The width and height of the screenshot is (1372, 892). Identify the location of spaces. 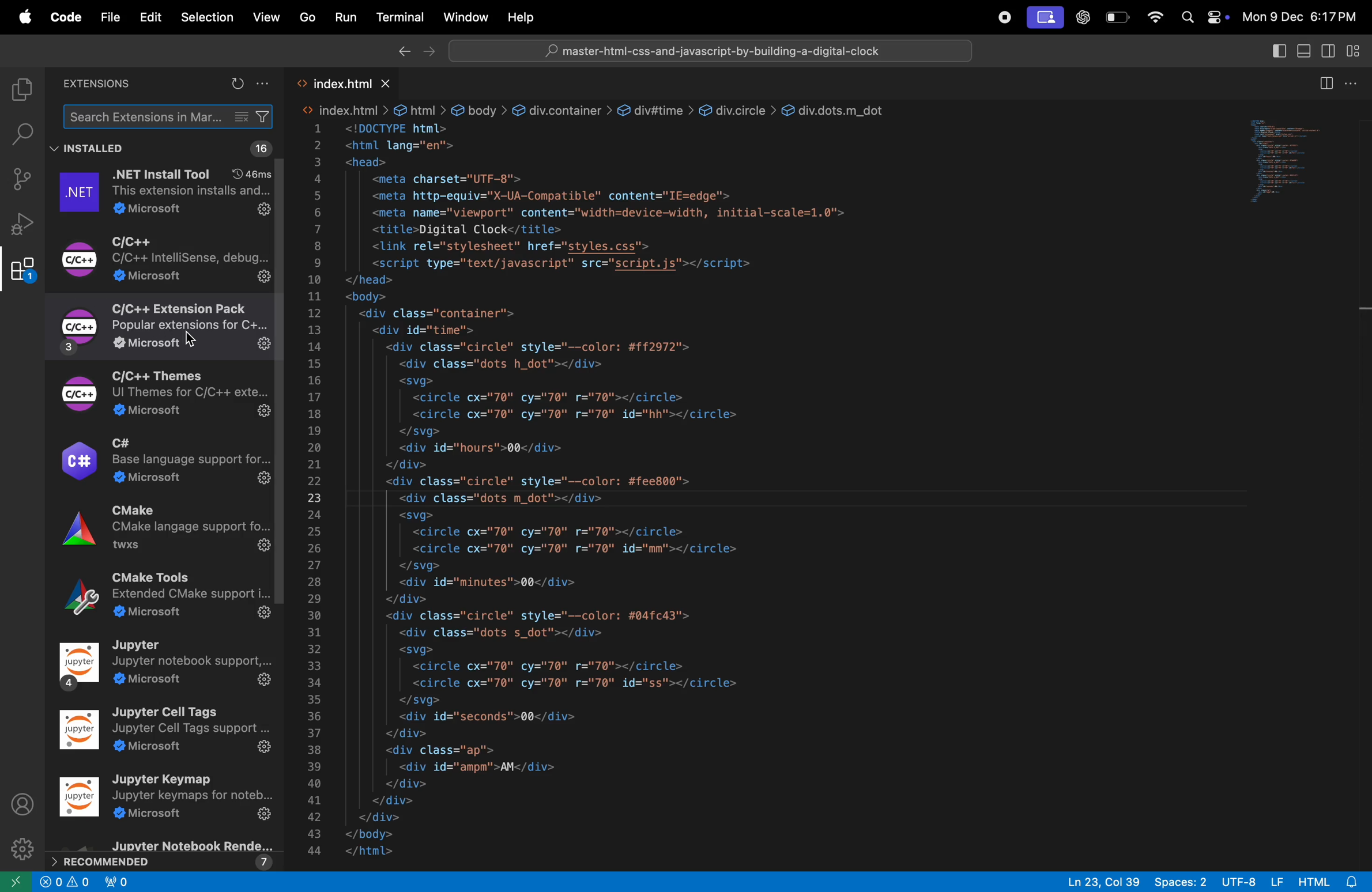
(1180, 880).